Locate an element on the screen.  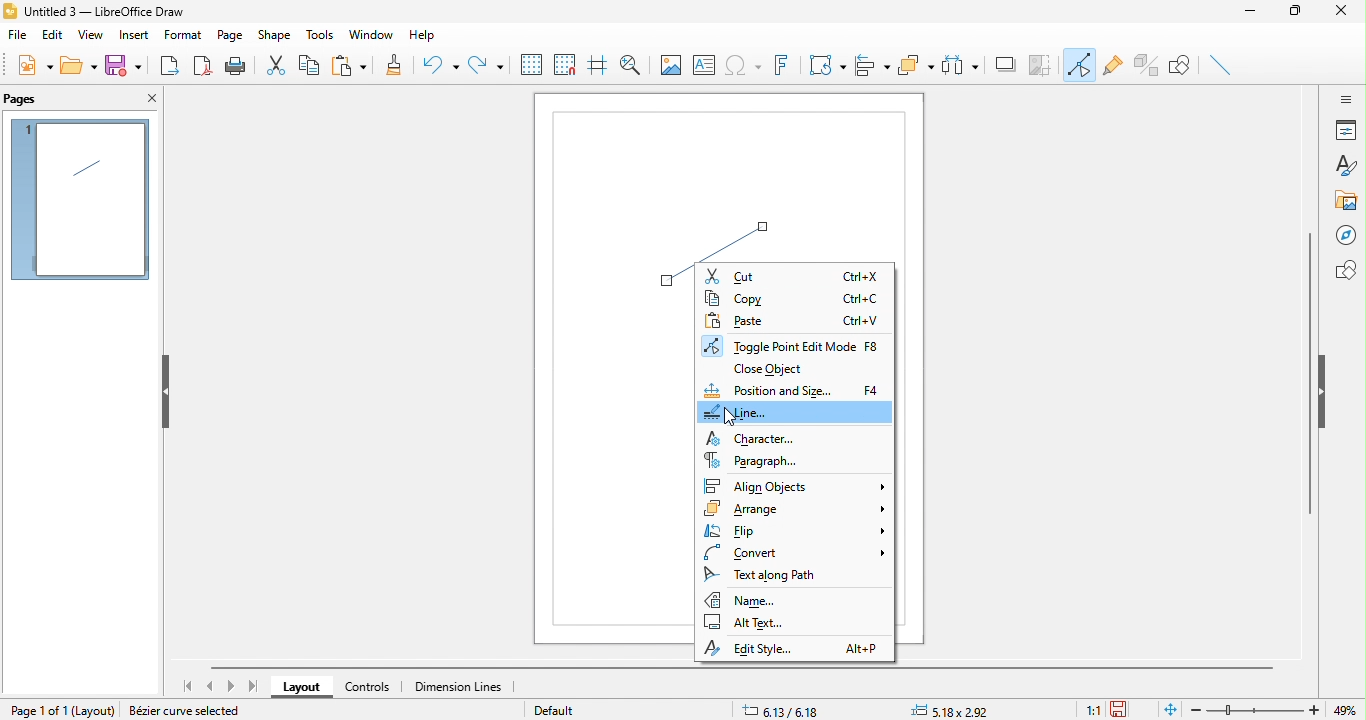
font work text is located at coordinates (786, 69).